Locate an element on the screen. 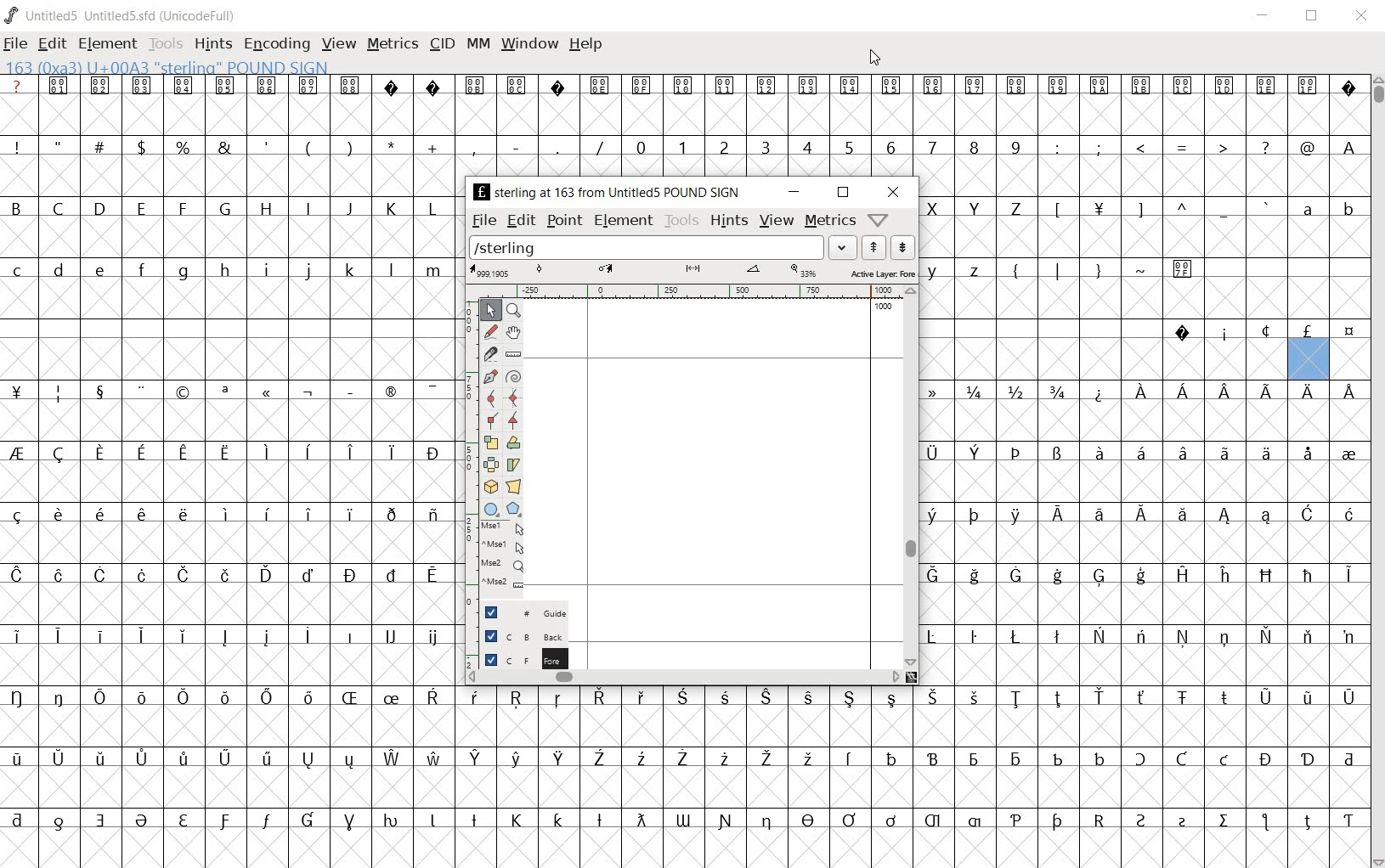 The width and height of the screenshot is (1385, 868). Symbol is located at coordinates (1182, 699).